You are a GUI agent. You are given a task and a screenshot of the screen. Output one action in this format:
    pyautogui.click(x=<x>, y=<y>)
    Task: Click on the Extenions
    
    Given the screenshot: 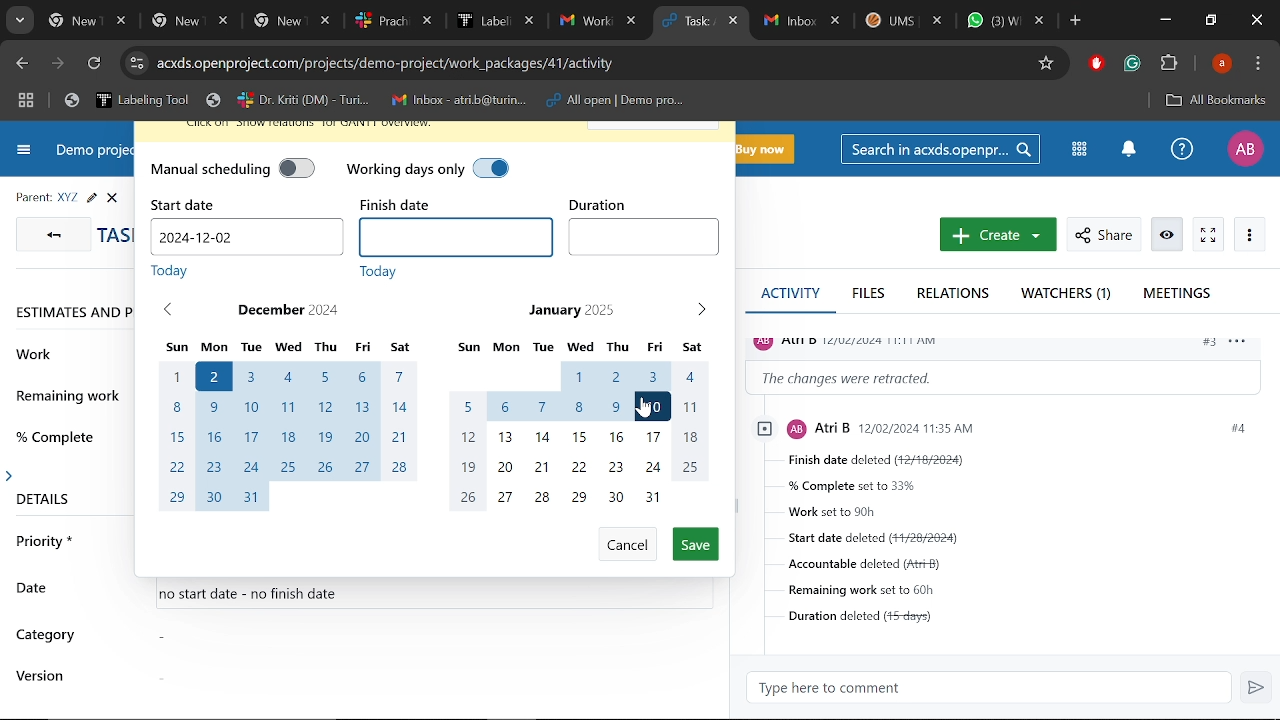 What is the action you would take?
    pyautogui.click(x=1169, y=65)
    